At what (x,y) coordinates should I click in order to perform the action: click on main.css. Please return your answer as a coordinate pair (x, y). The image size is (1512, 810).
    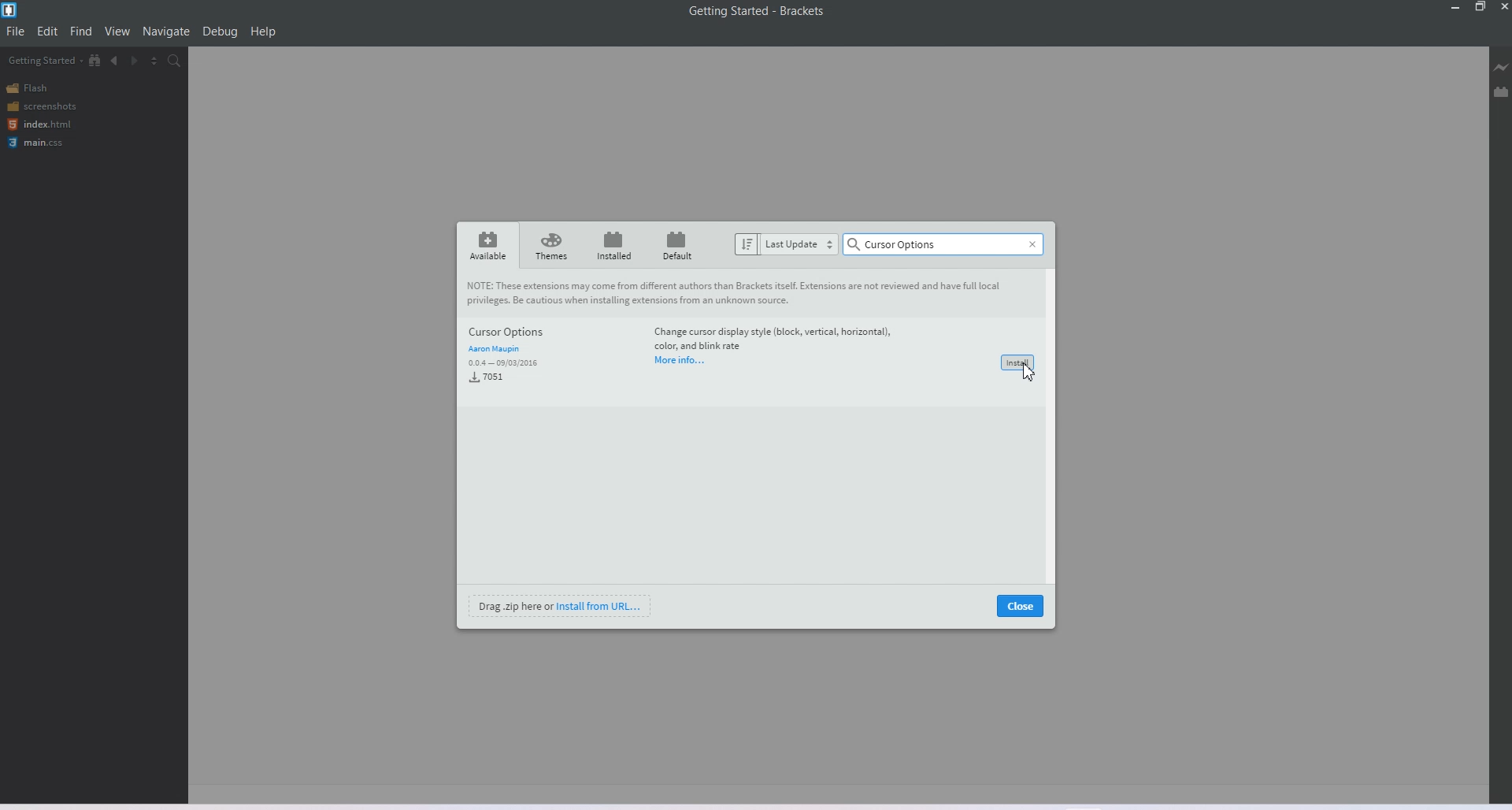
    Looking at the image, I should click on (39, 143).